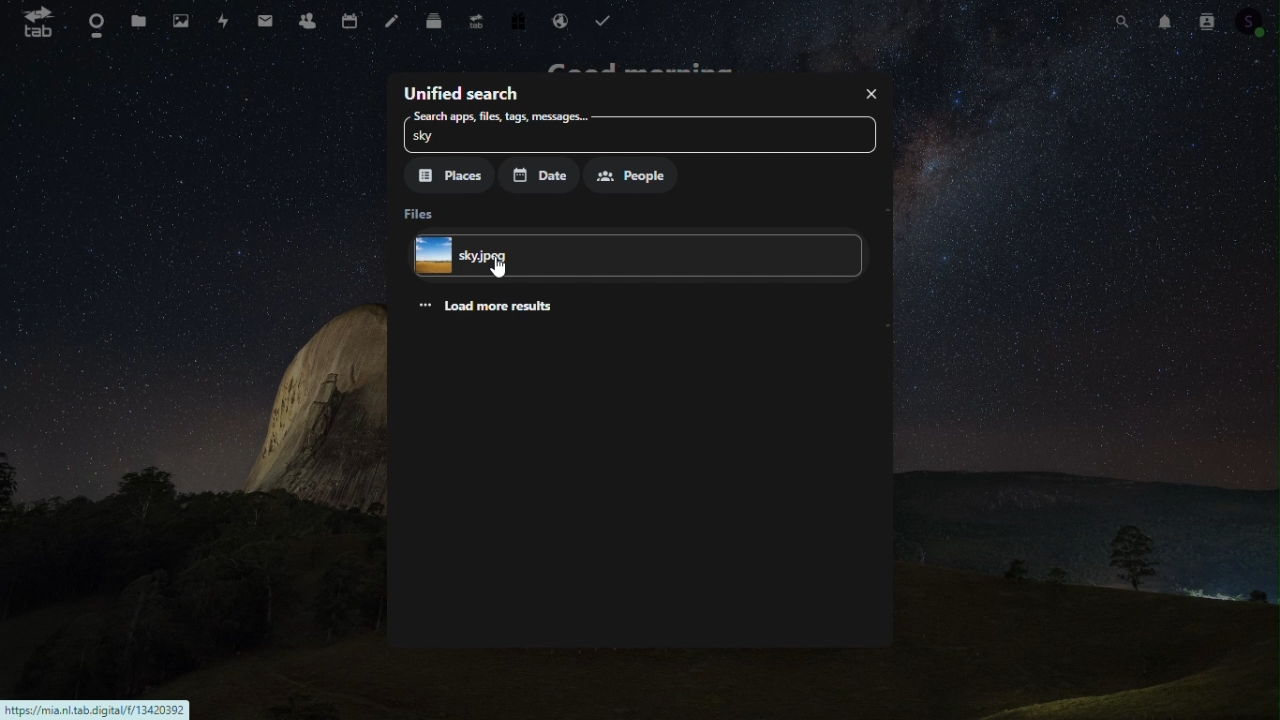  I want to click on Deck, so click(432, 16).